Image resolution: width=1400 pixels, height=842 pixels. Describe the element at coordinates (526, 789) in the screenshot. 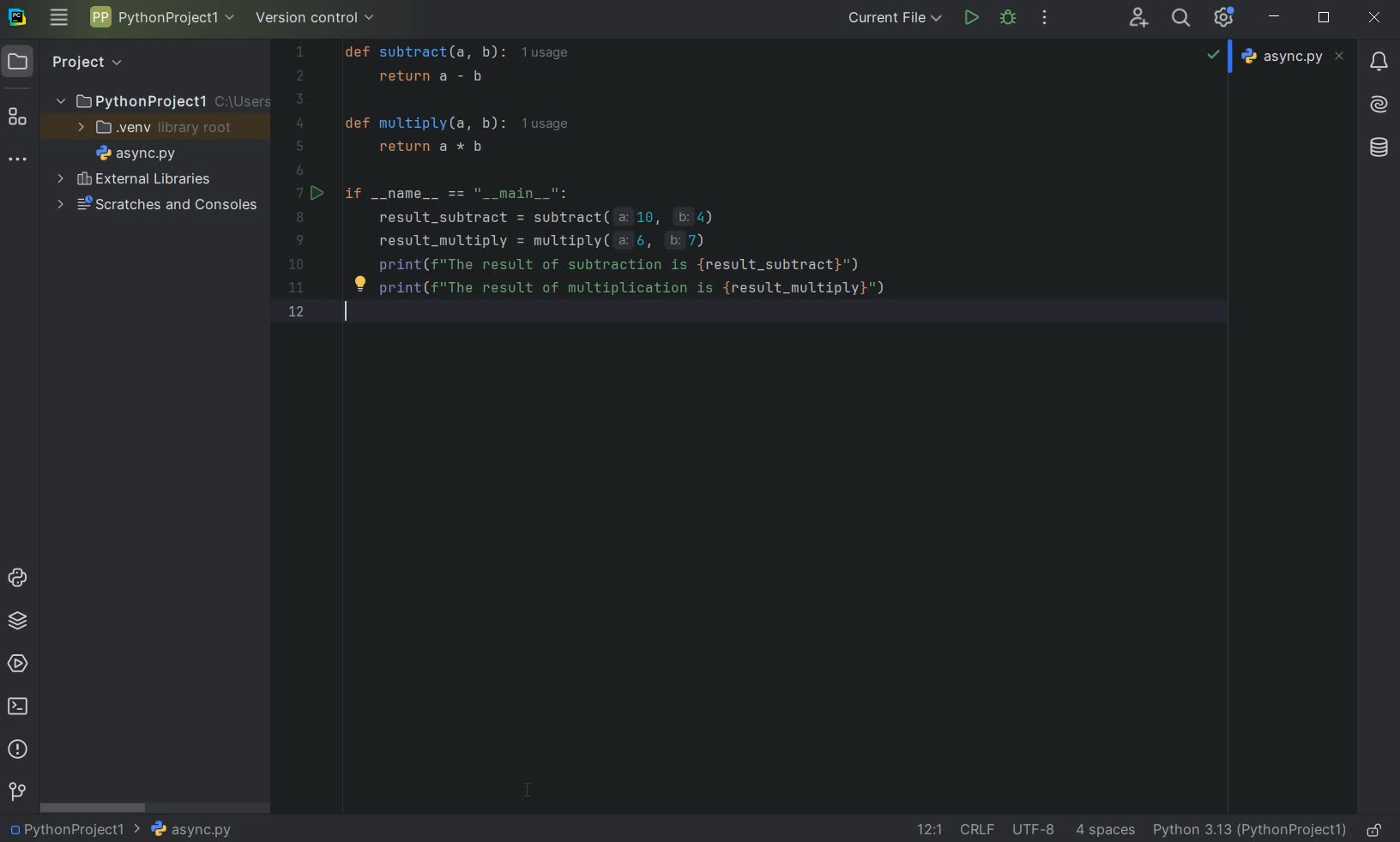

I see `cursor` at that location.